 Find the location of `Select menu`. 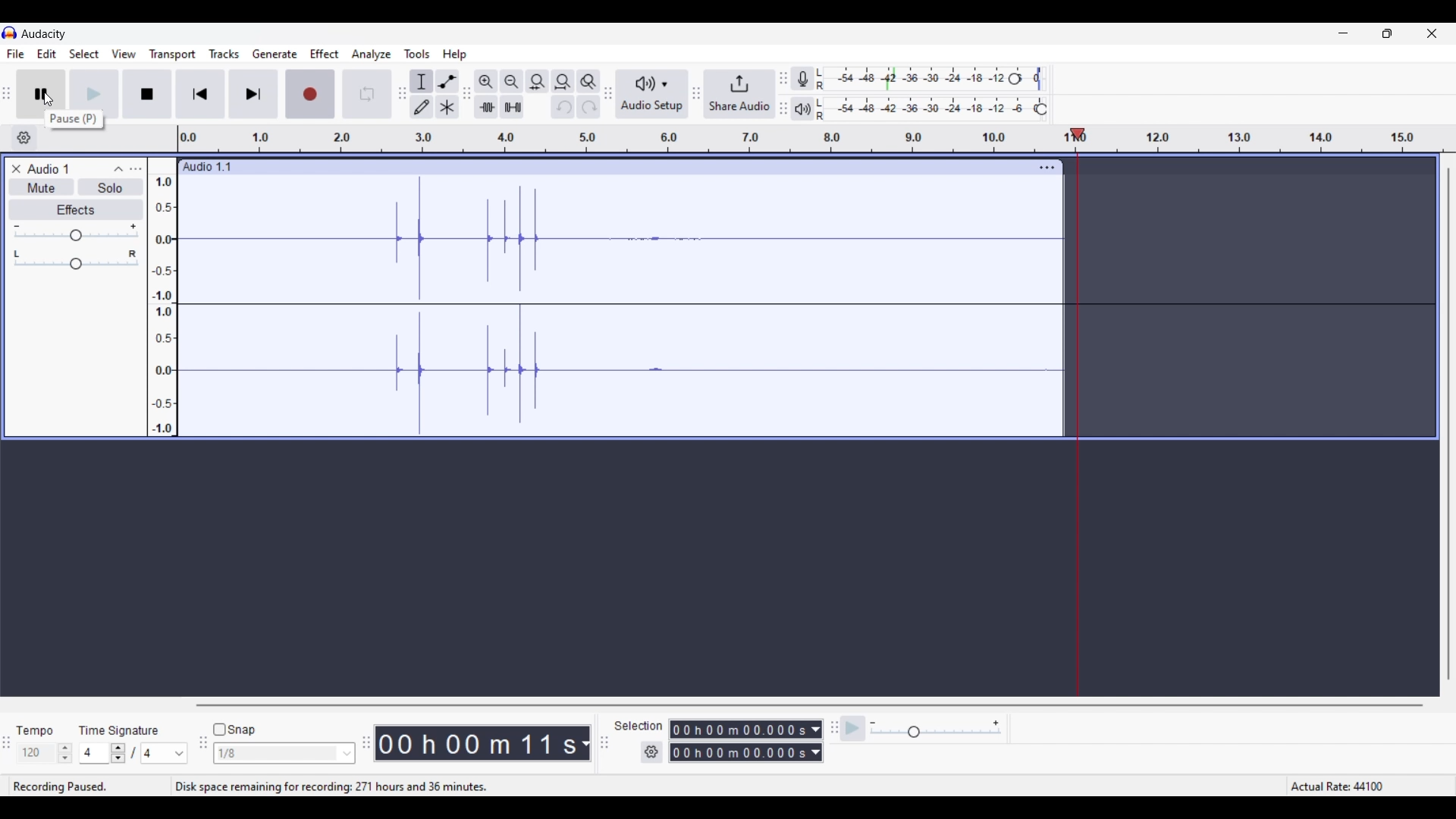

Select menu is located at coordinates (85, 54).